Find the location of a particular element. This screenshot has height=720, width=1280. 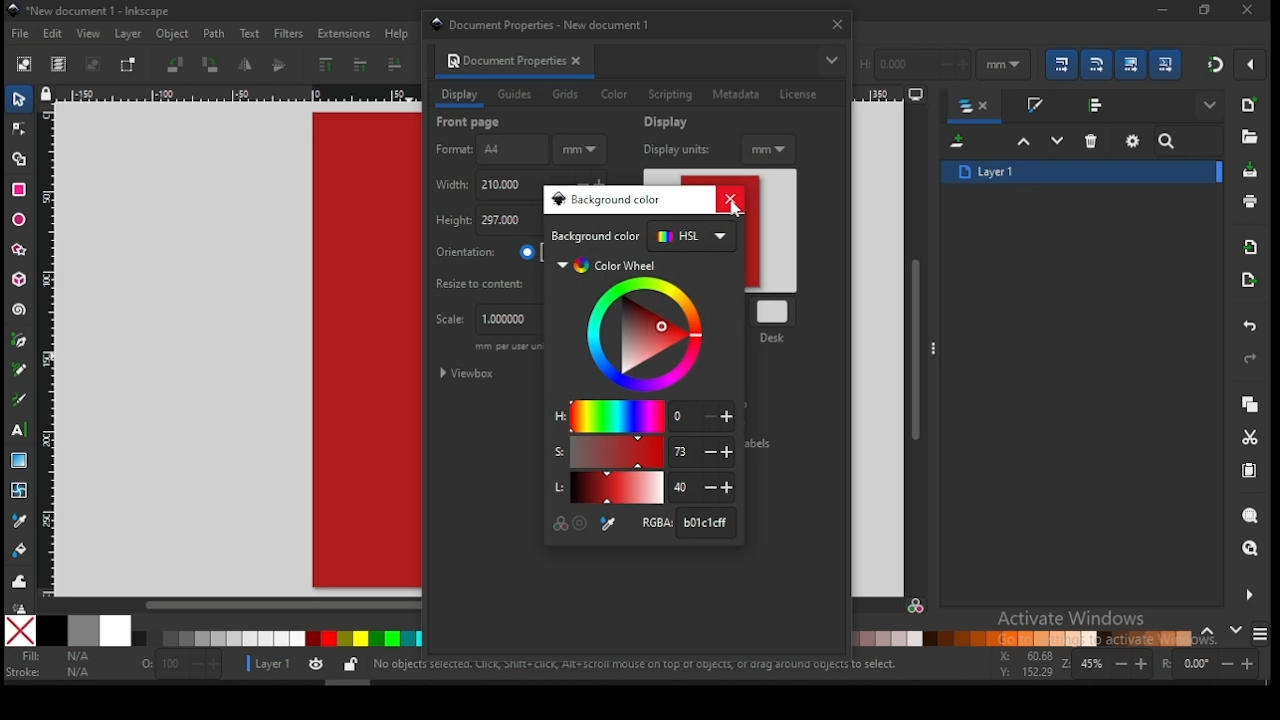

guides is located at coordinates (517, 96).